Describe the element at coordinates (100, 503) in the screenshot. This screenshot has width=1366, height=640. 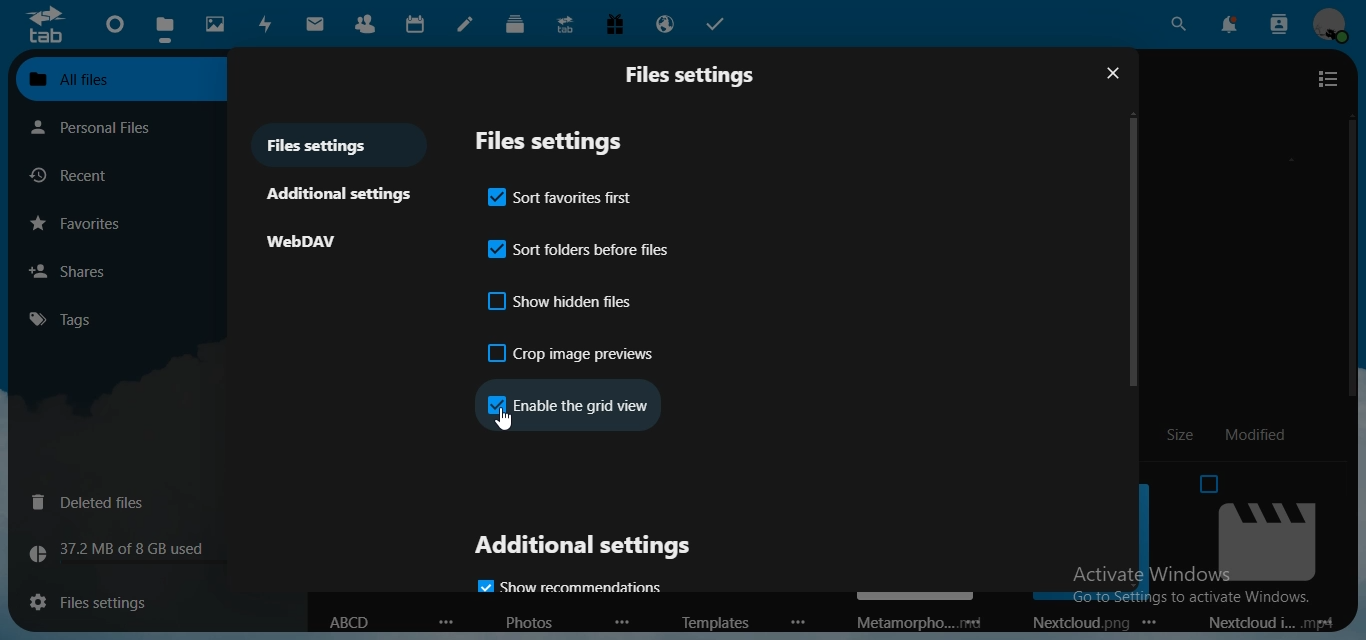
I see `deleted files` at that location.